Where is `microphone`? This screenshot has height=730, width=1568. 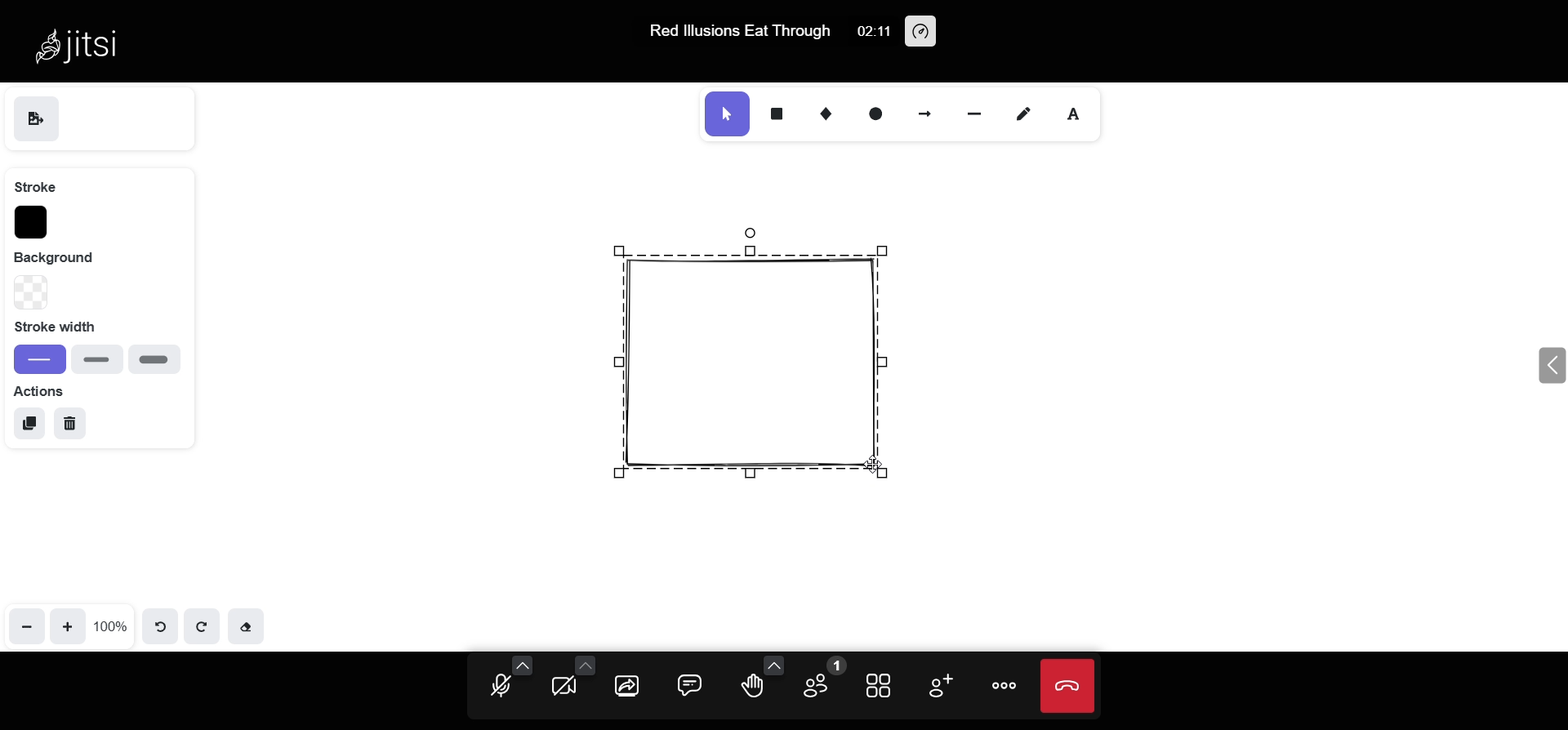 microphone is located at coordinates (501, 688).